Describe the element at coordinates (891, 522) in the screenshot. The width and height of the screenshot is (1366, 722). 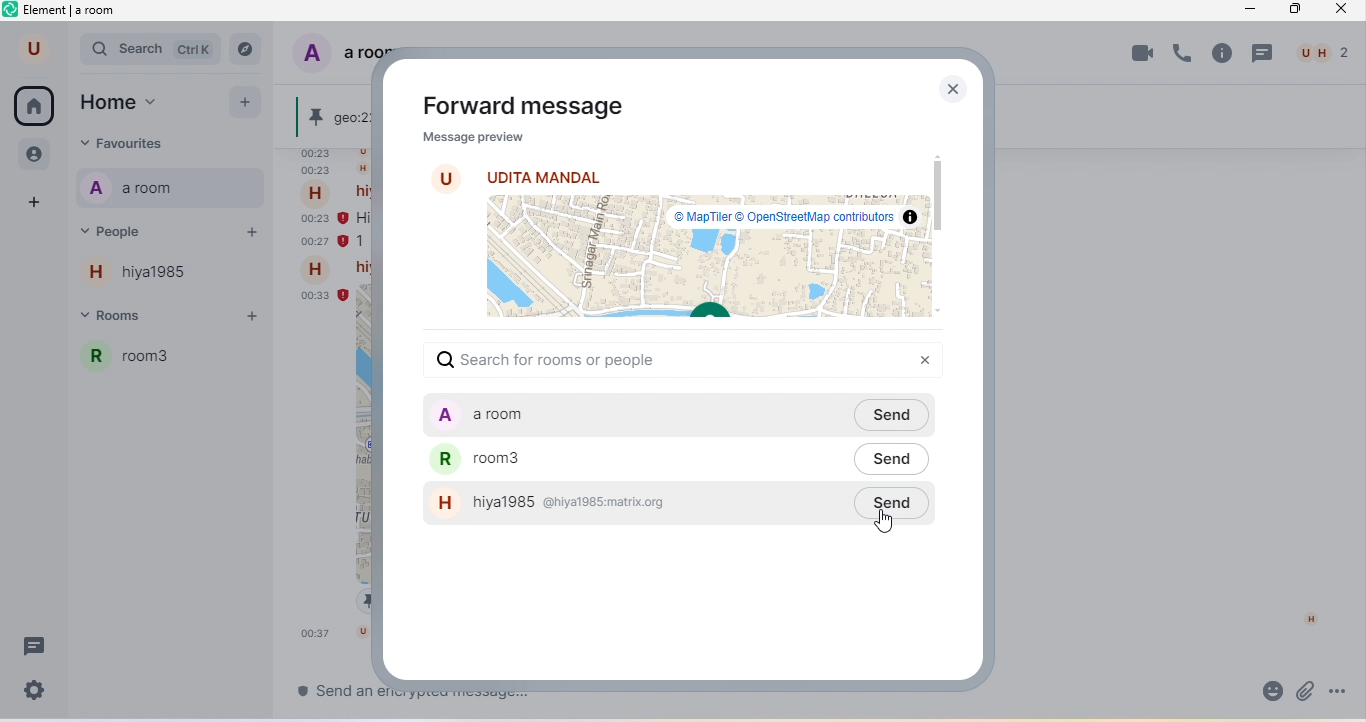
I see `cursor movement` at that location.